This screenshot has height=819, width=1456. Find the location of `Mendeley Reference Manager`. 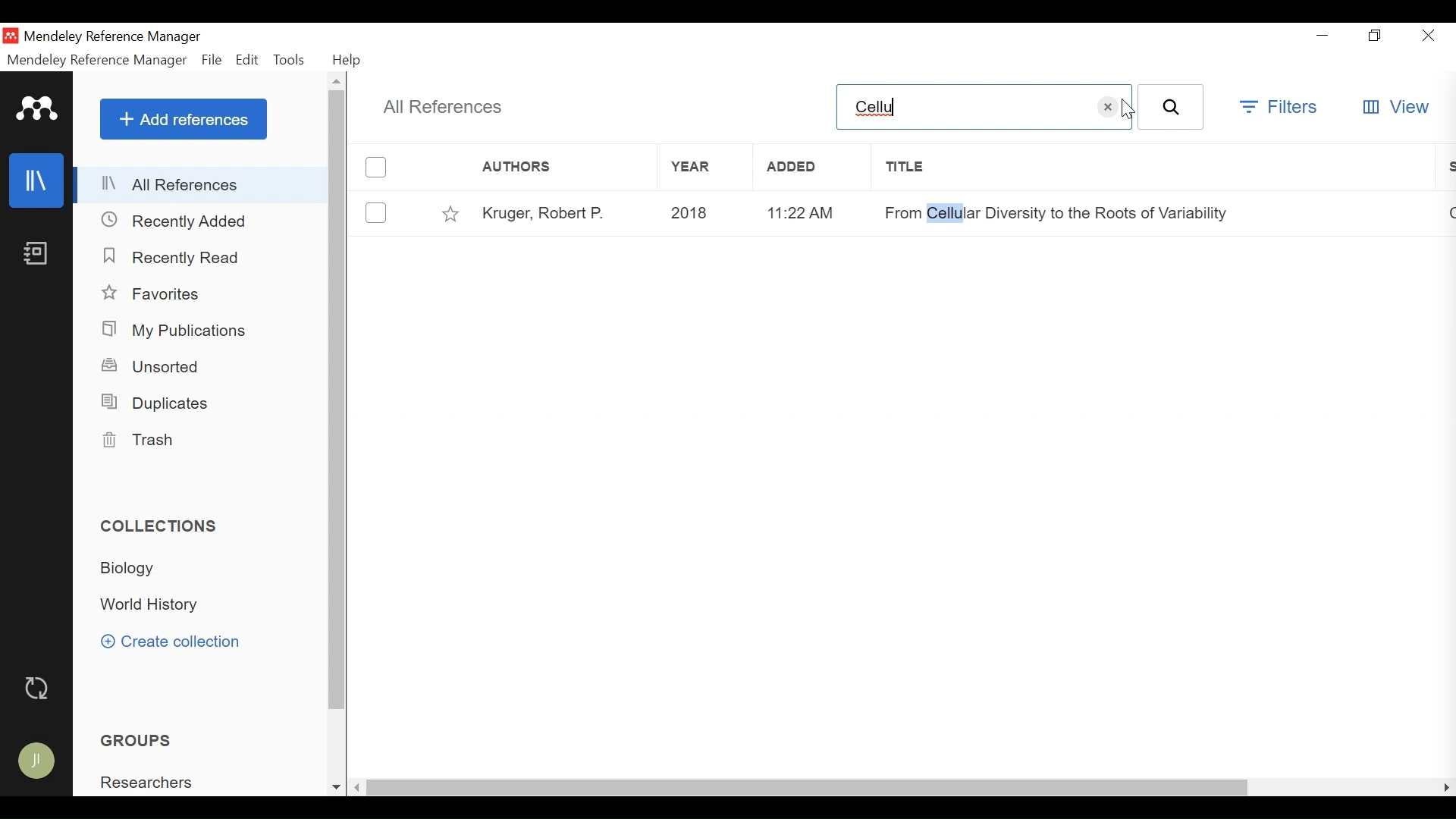

Mendeley Reference Manager is located at coordinates (97, 61).